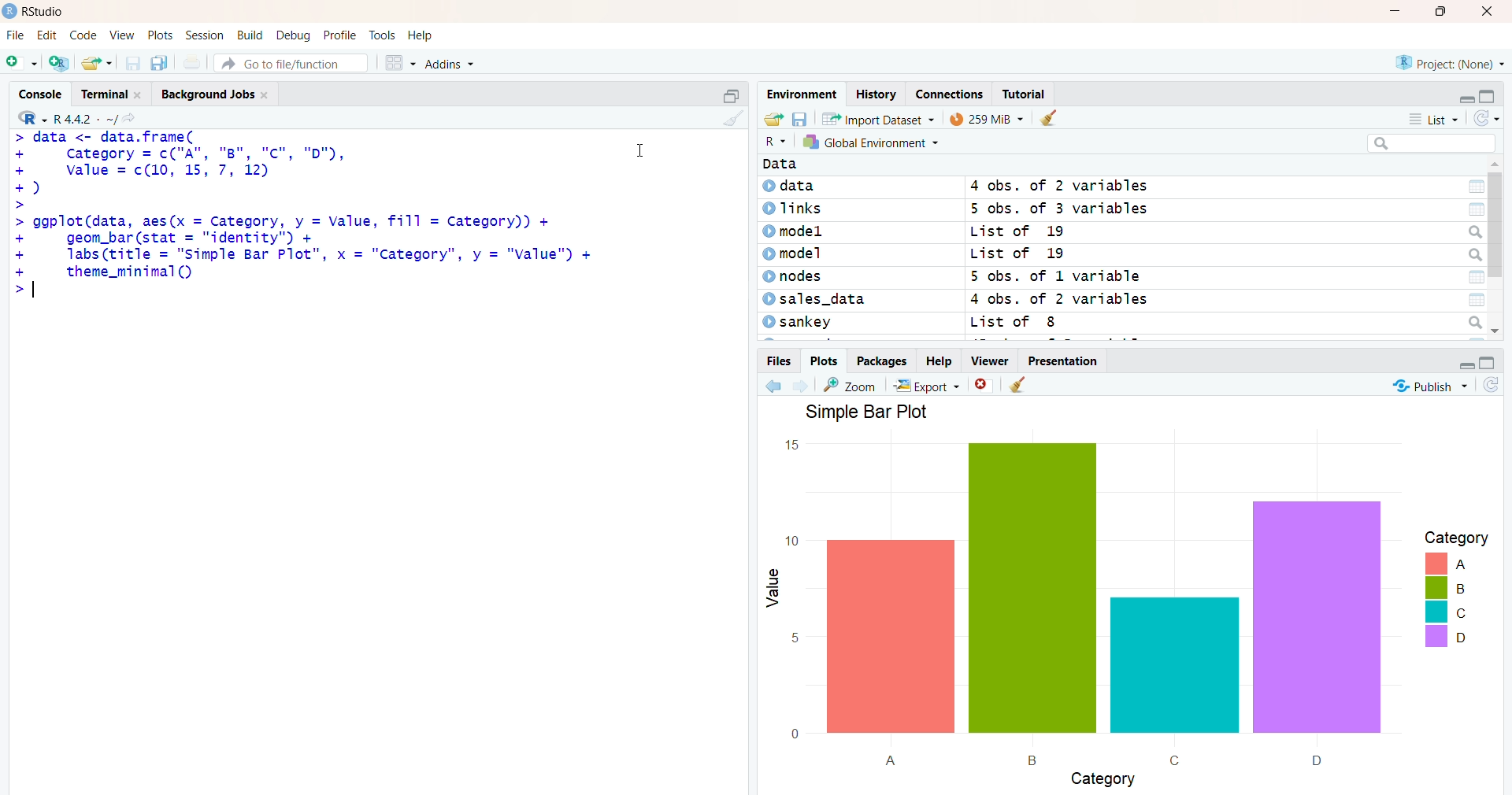  What do you see at coordinates (876, 119) in the screenshot?
I see `import dataset` at bounding box center [876, 119].